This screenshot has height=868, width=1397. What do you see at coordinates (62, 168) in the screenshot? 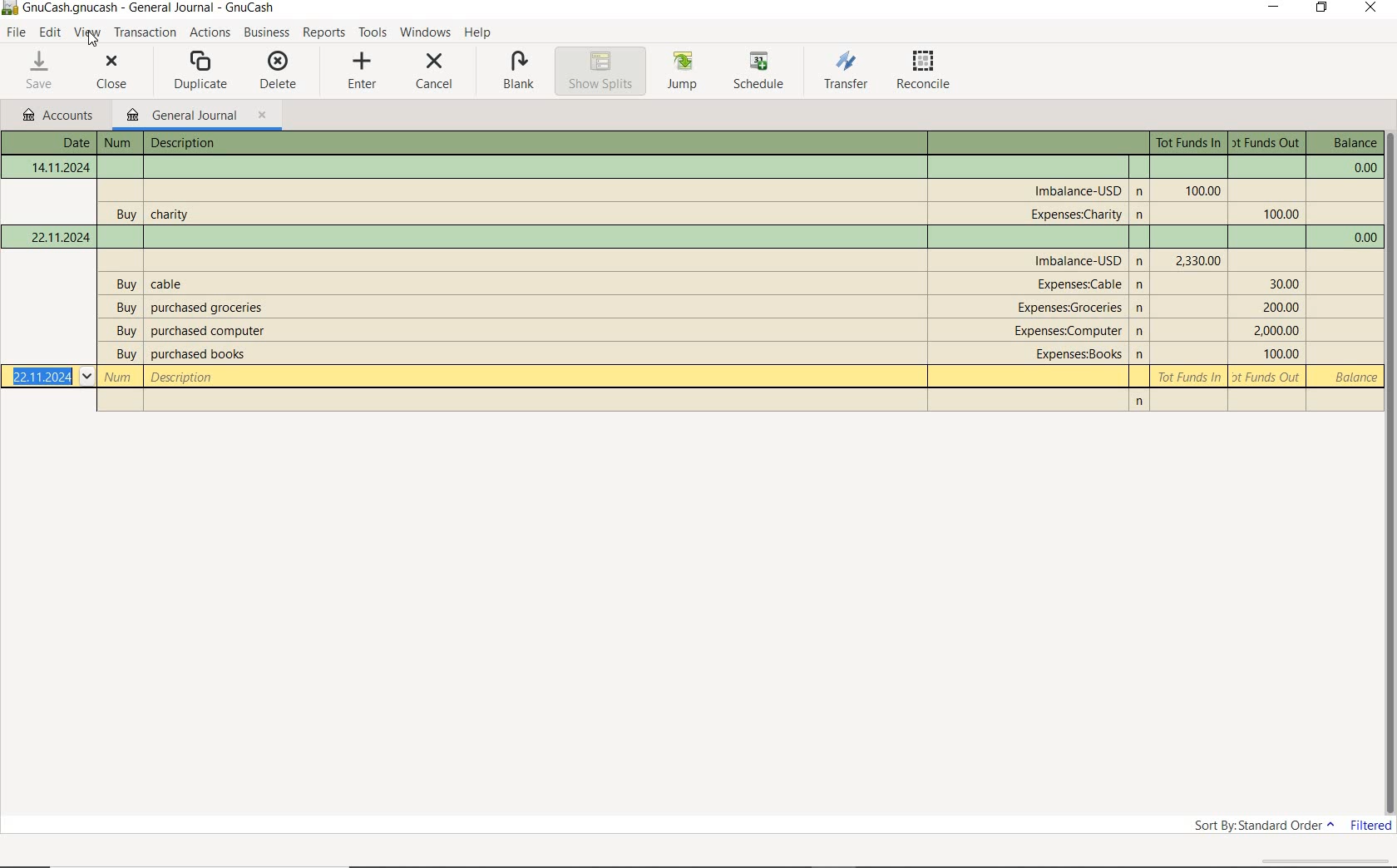
I see `Date` at bounding box center [62, 168].